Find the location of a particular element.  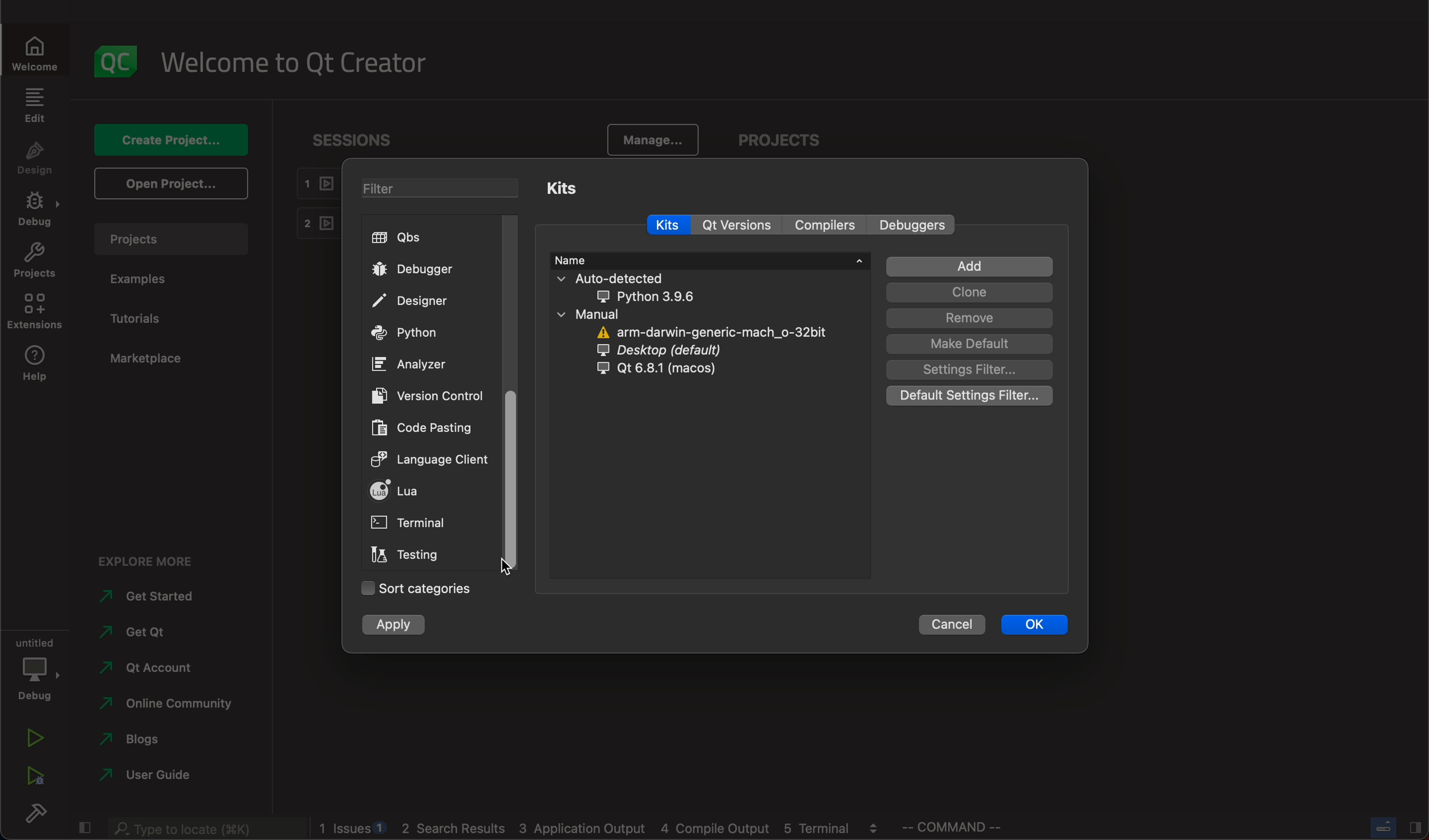

code is located at coordinates (425, 427).